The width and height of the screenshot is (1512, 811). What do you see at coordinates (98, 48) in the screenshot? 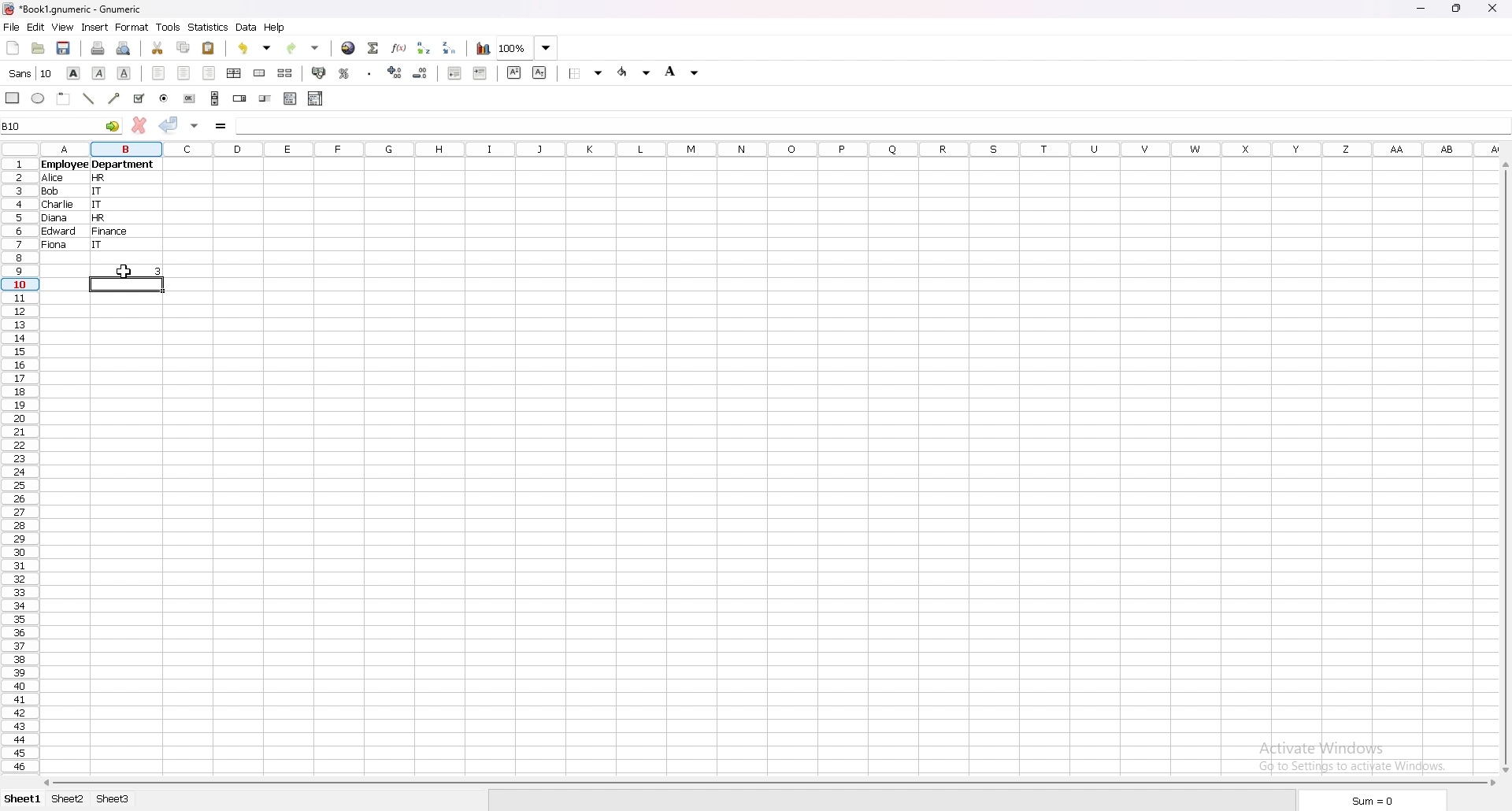
I see `print` at bounding box center [98, 48].